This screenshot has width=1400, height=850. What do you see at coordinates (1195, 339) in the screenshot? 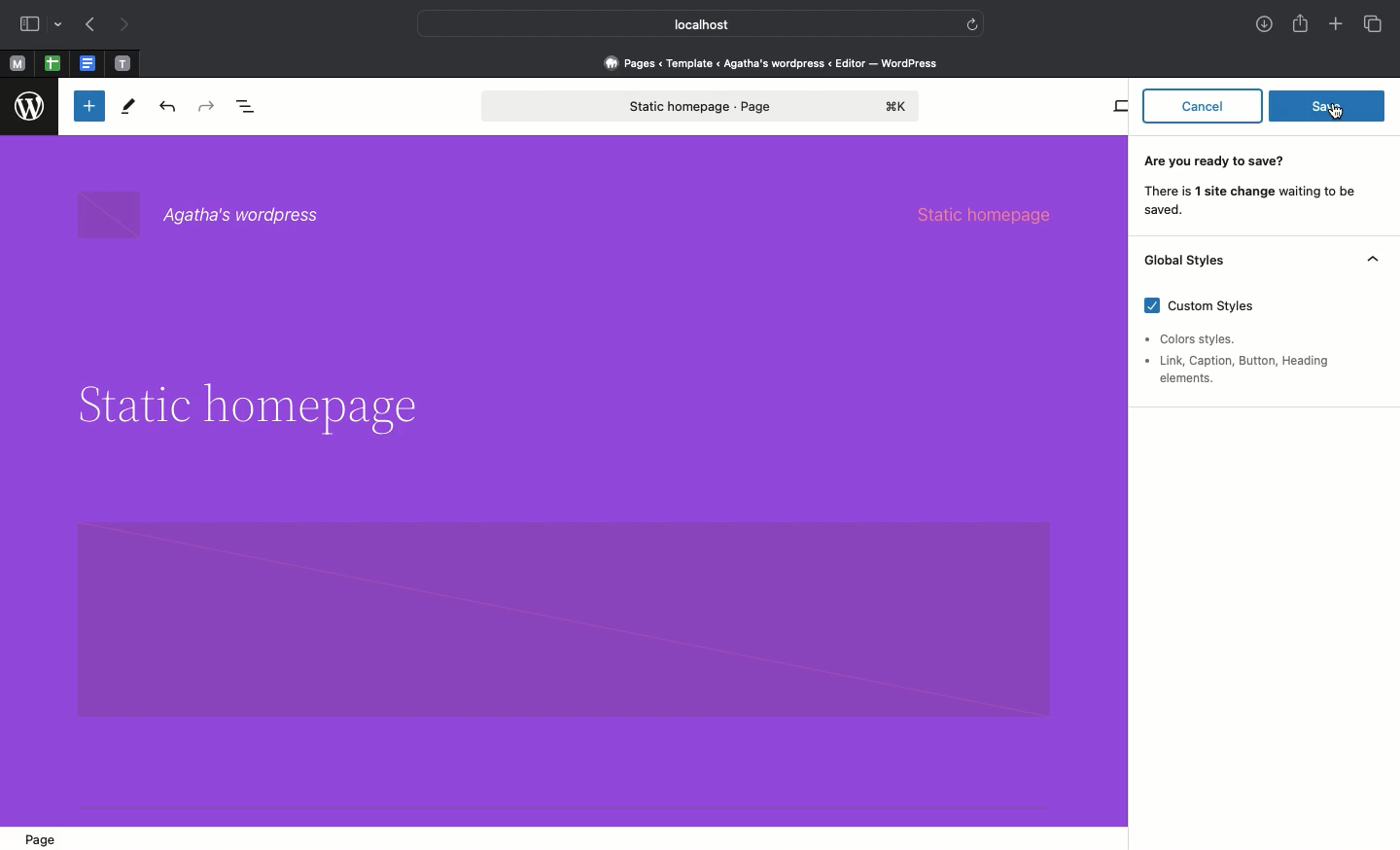
I see `Color styles` at bounding box center [1195, 339].